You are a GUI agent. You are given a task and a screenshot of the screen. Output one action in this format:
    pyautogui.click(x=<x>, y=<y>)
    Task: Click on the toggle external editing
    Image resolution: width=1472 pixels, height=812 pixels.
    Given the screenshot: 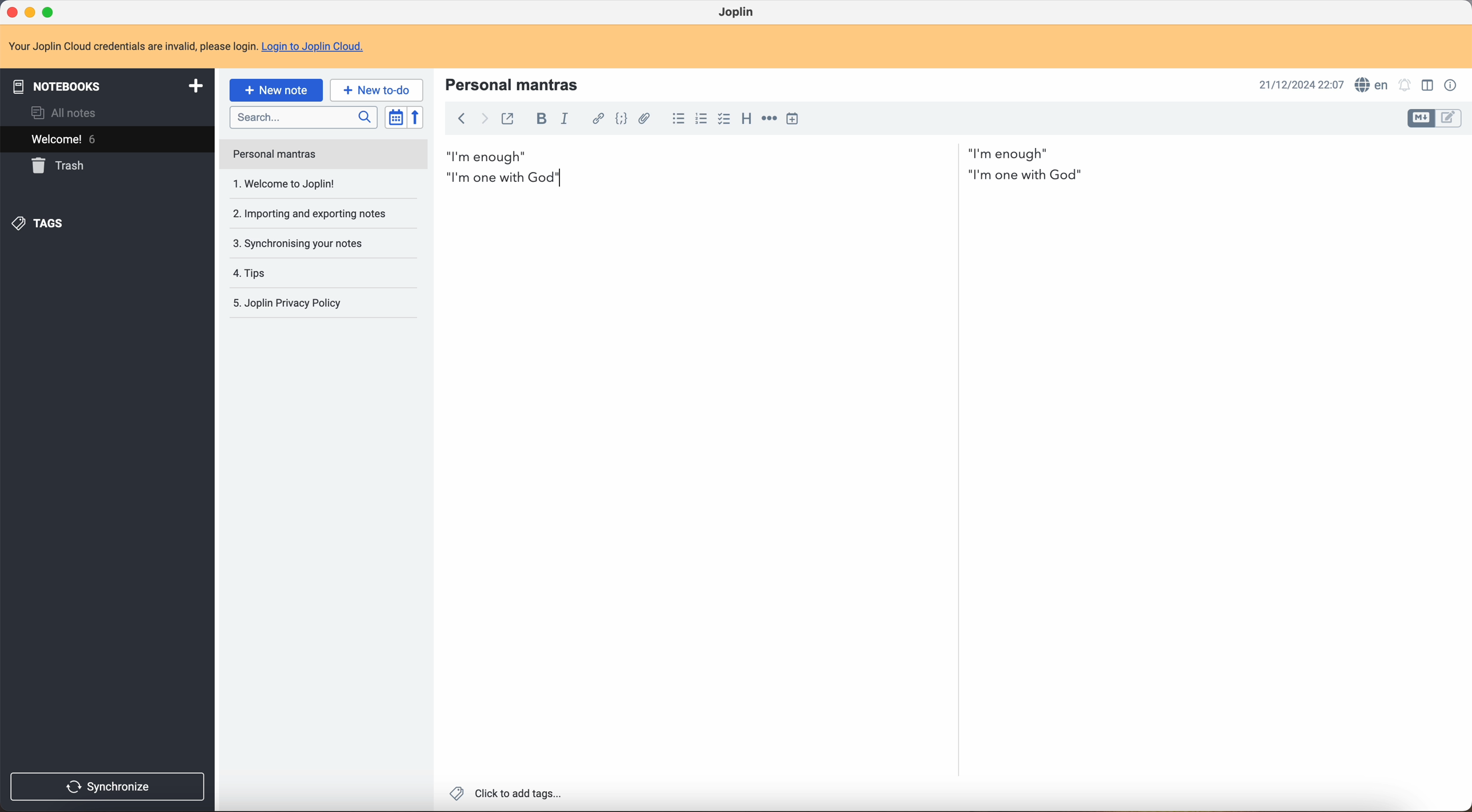 What is the action you would take?
    pyautogui.click(x=507, y=118)
    